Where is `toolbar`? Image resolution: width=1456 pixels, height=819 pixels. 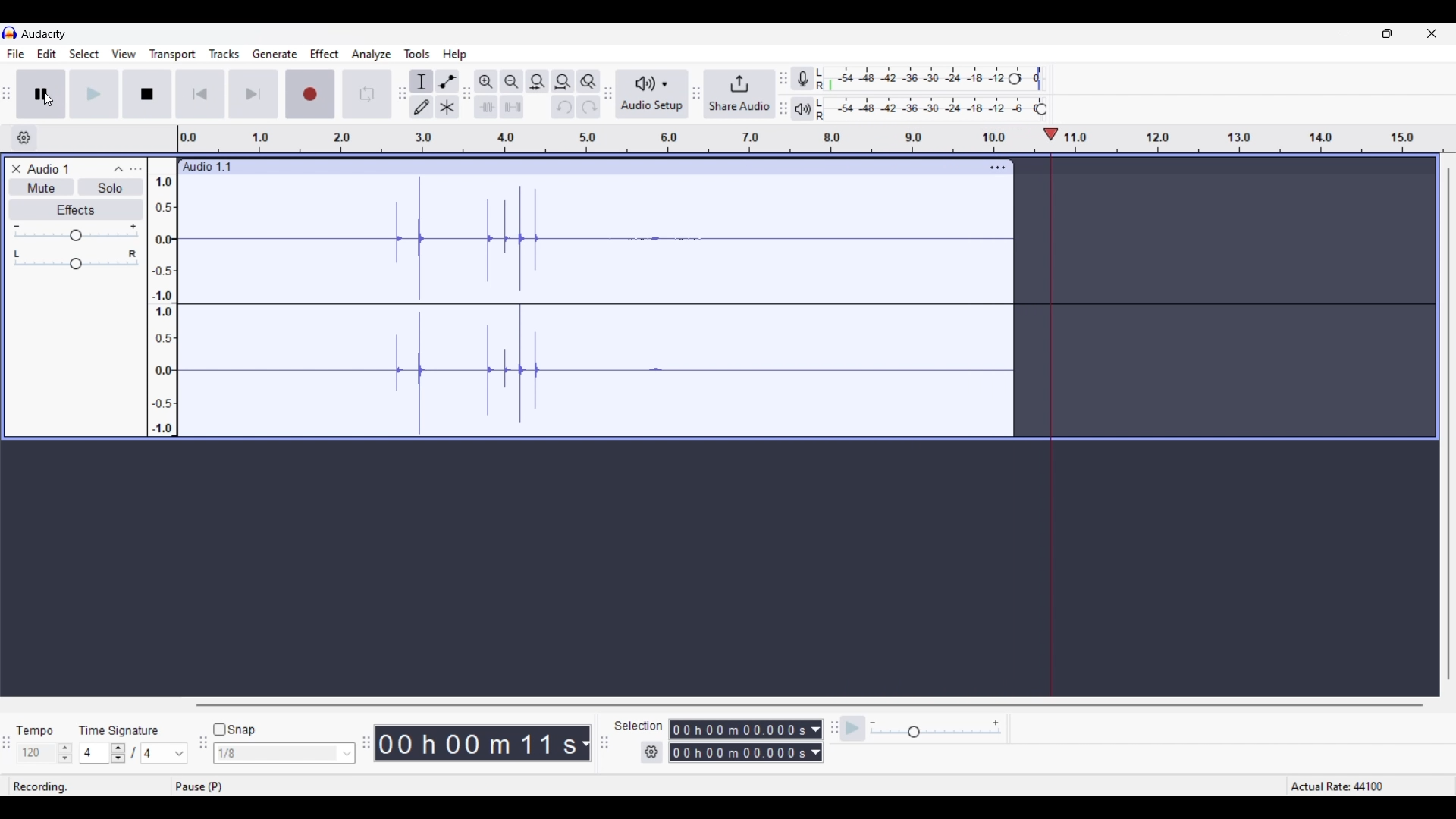
toolbar is located at coordinates (782, 91).